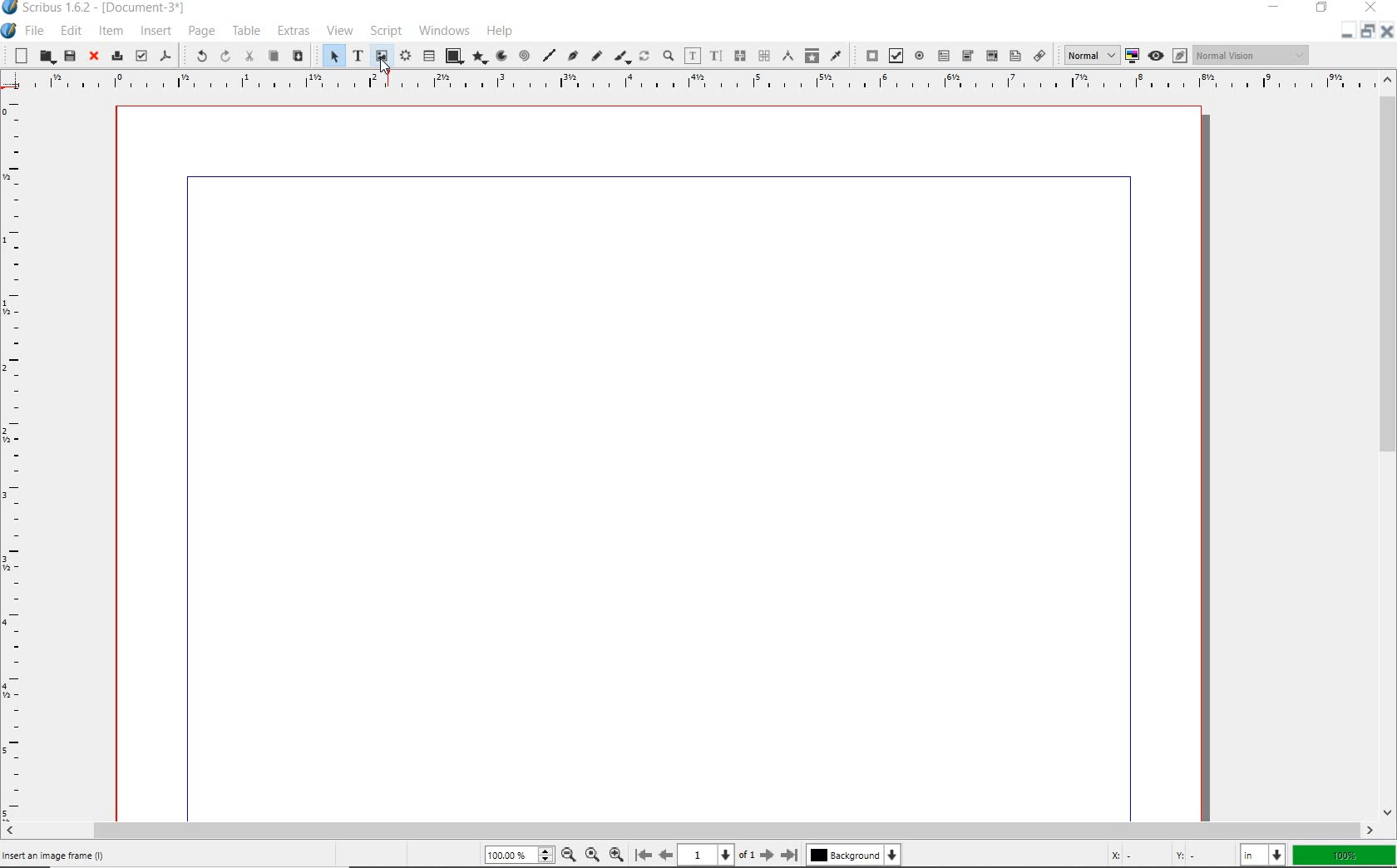  I want to click on close, so click(1387, 31).